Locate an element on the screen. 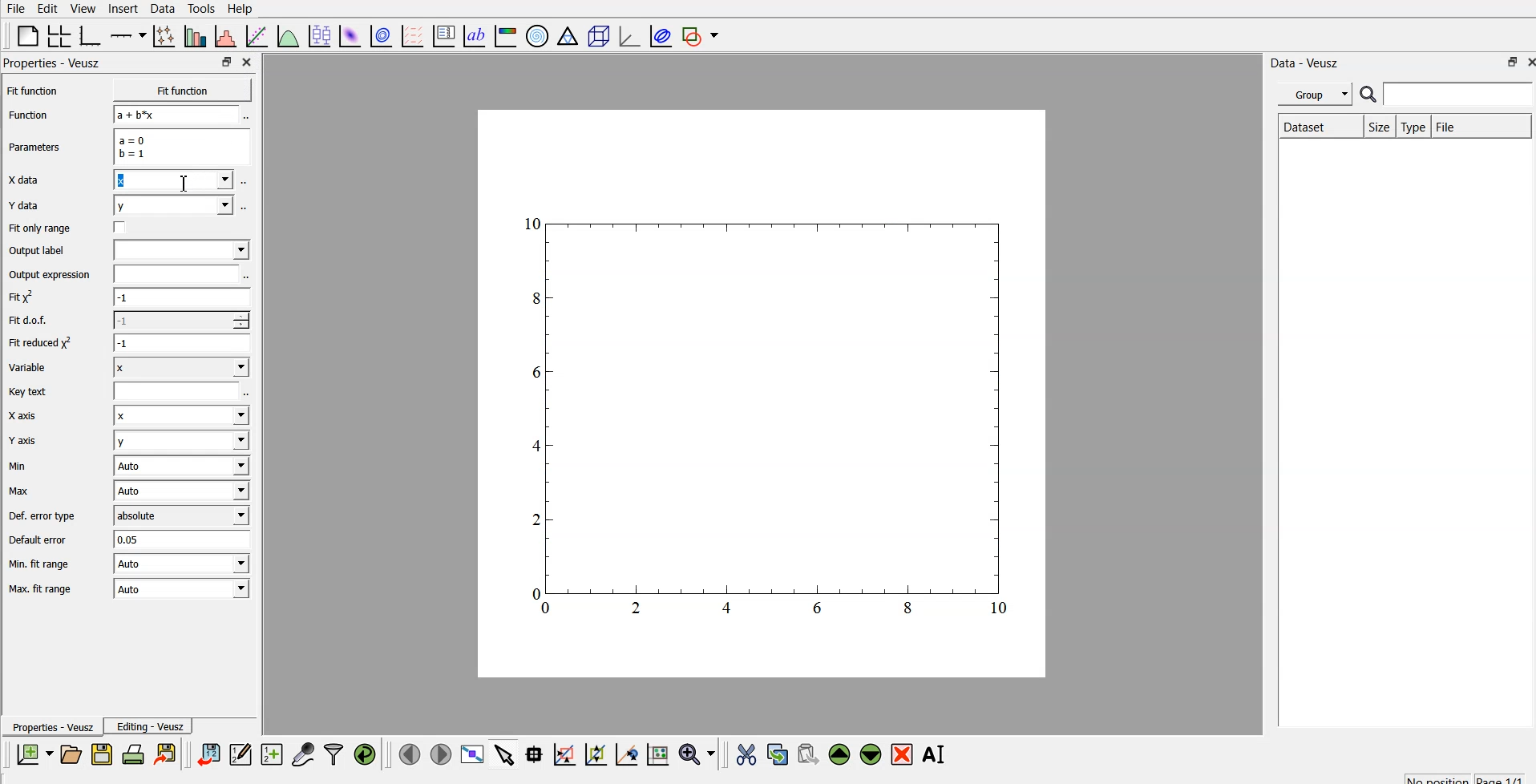 The image size is (1536, 784).  Dataset is located at coordinates (1320, 126).